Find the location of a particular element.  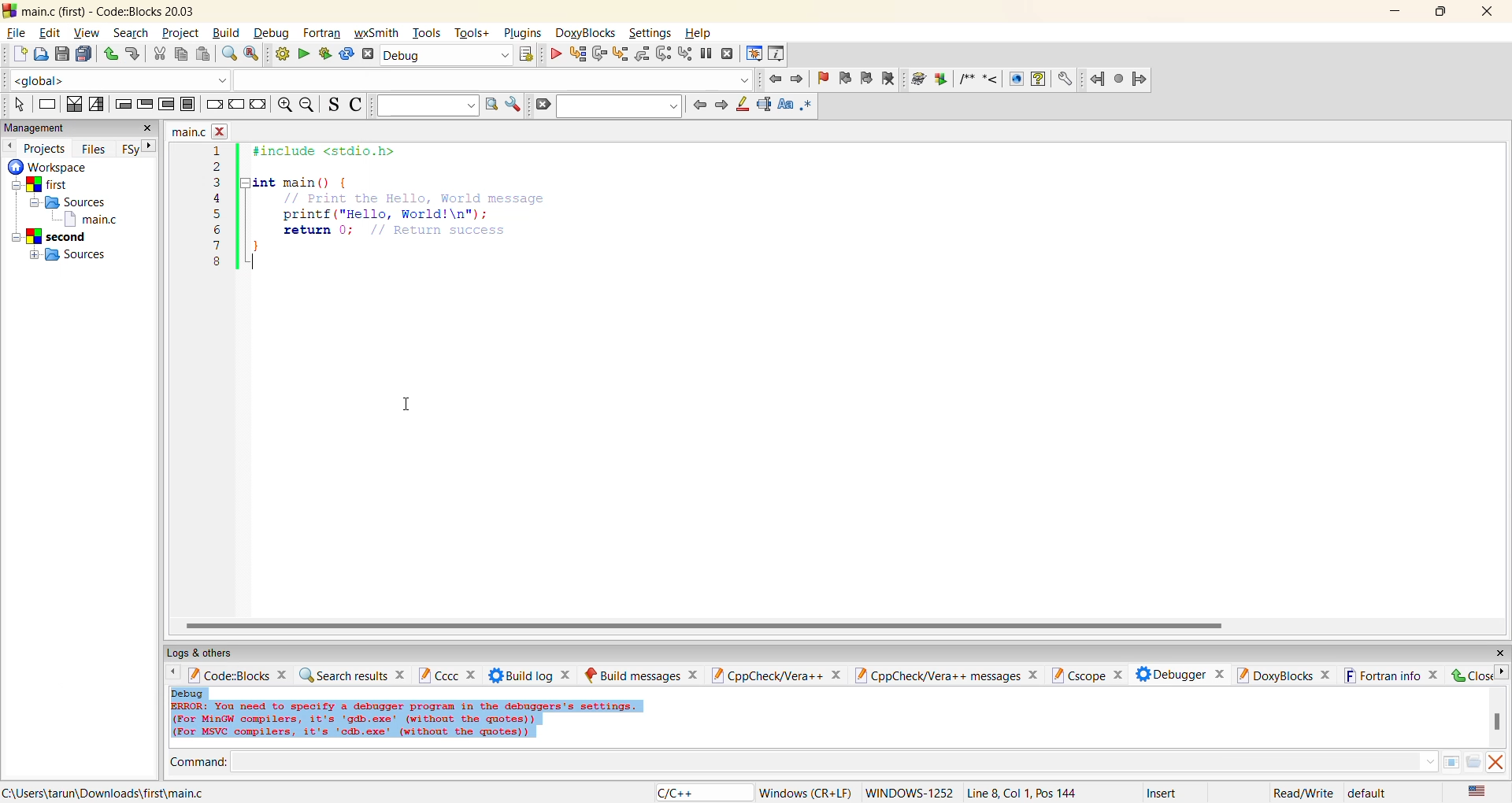

previous is located at coordinates (173, 674).